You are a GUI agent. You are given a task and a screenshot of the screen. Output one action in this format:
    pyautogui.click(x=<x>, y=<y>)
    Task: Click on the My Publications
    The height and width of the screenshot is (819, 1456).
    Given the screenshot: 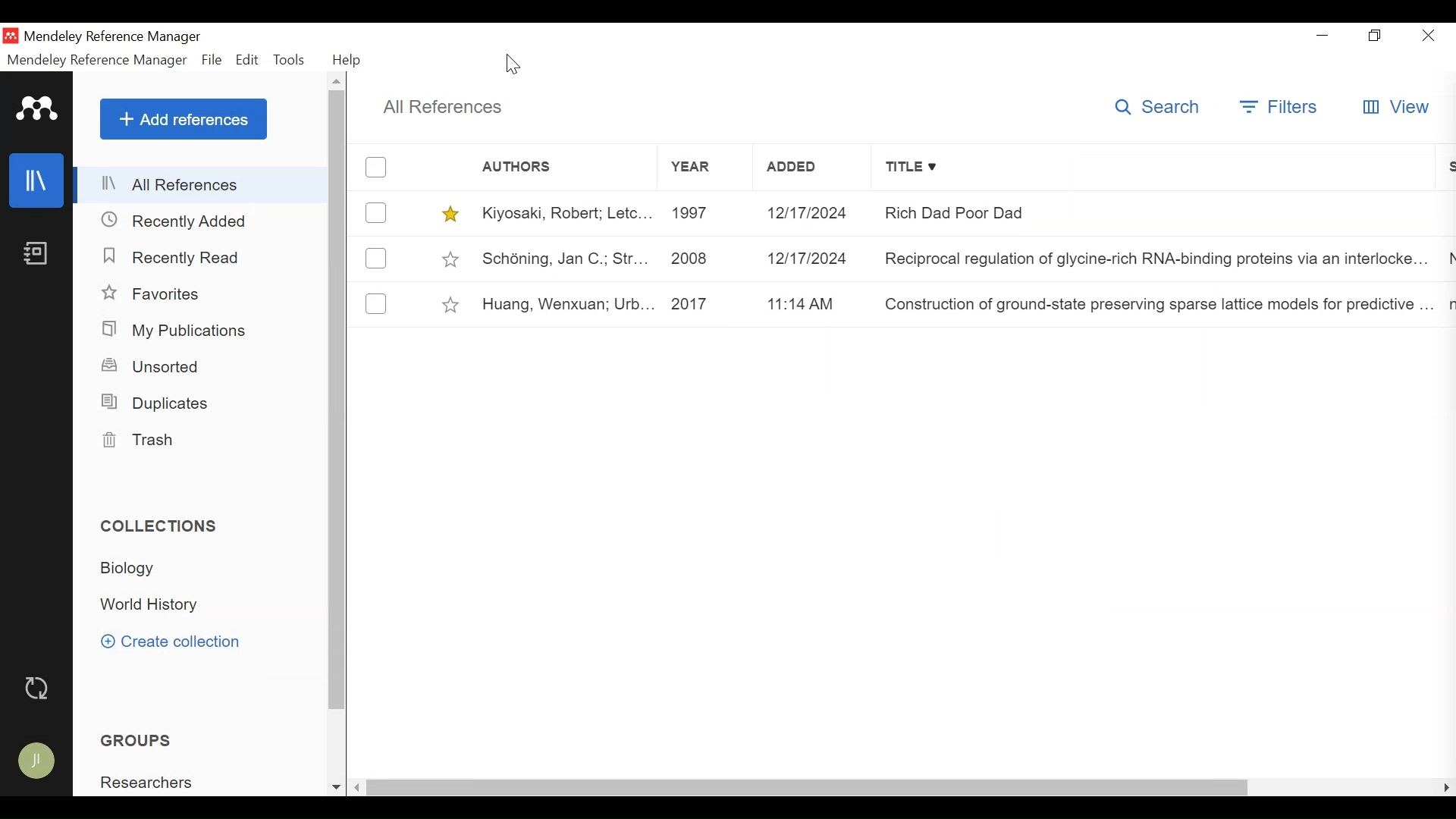 What is the action you would take?
    pyautogui.click(x=174, y=329)
    